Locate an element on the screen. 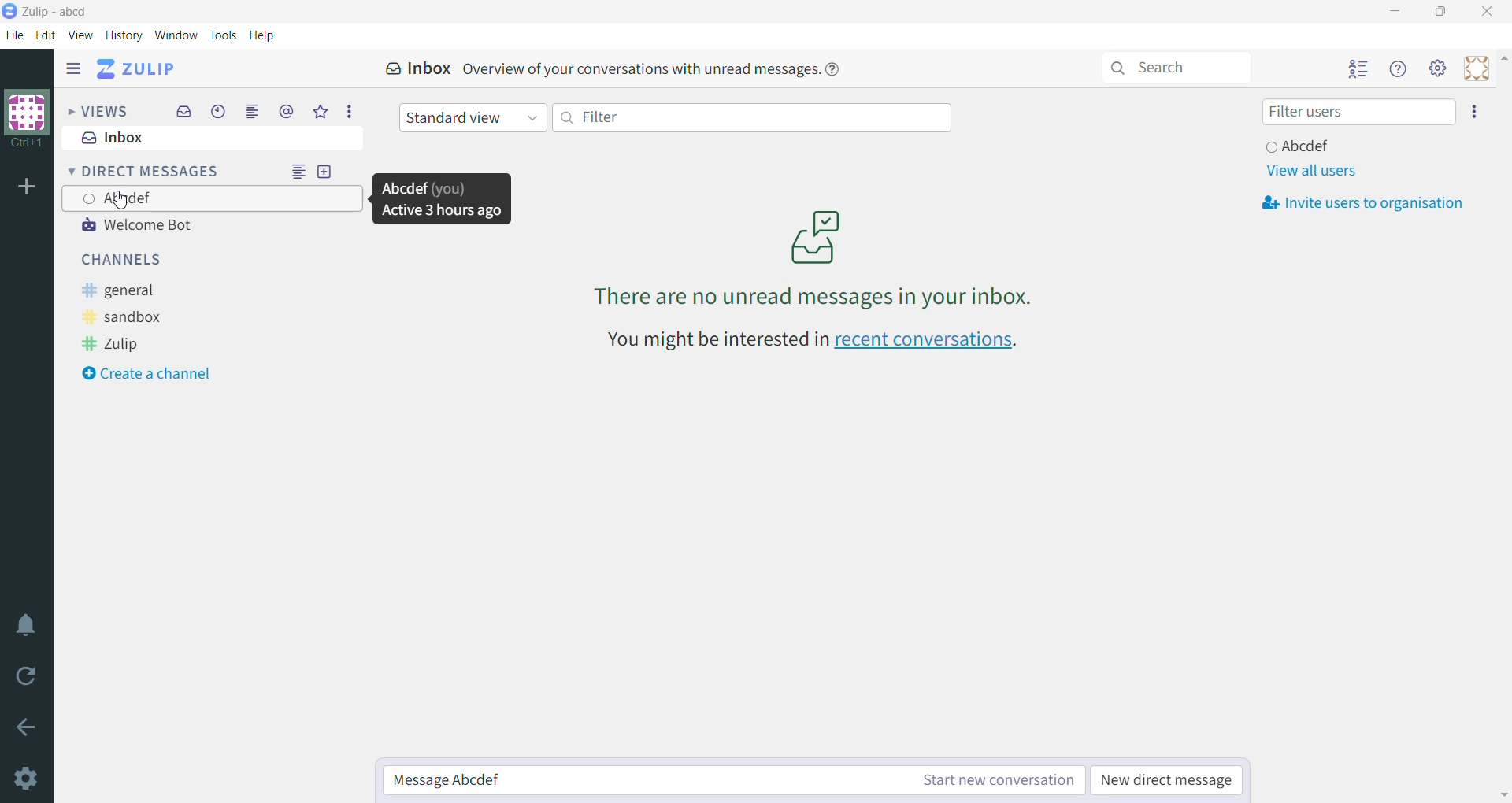  More Options is located at coordinates (348, 111).